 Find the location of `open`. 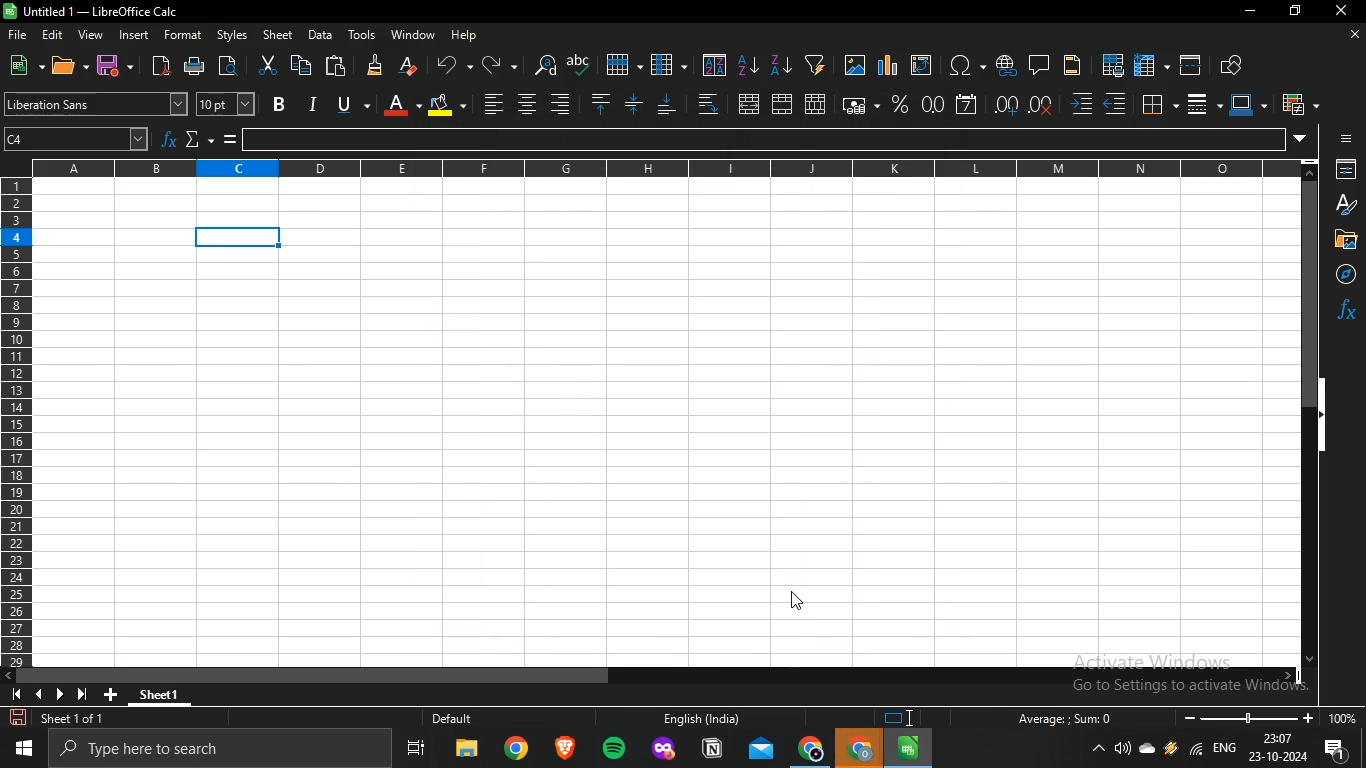

open is located at coordinates (65, 67).